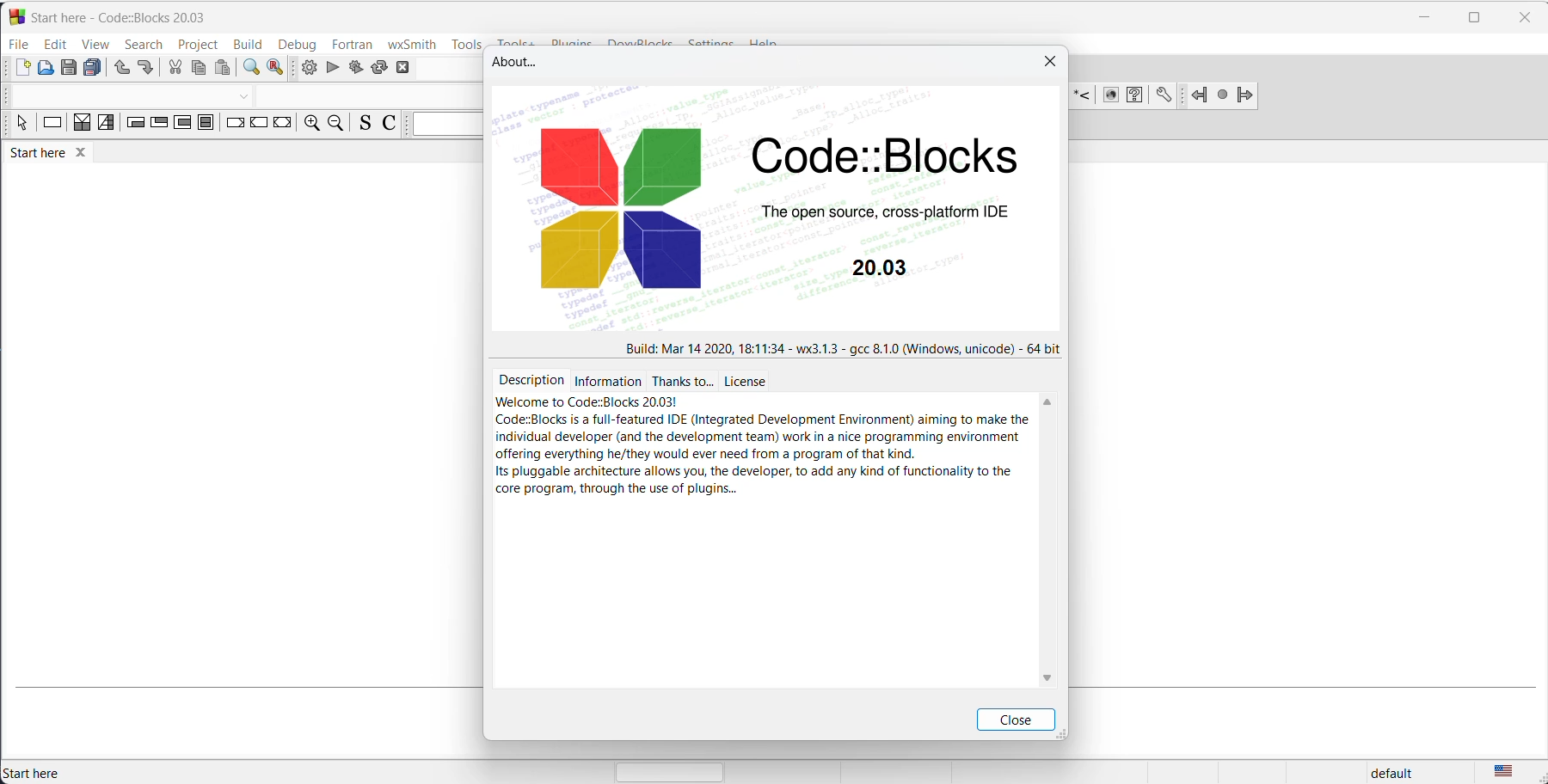  I want to click on Preferences, so click(1164, 96).